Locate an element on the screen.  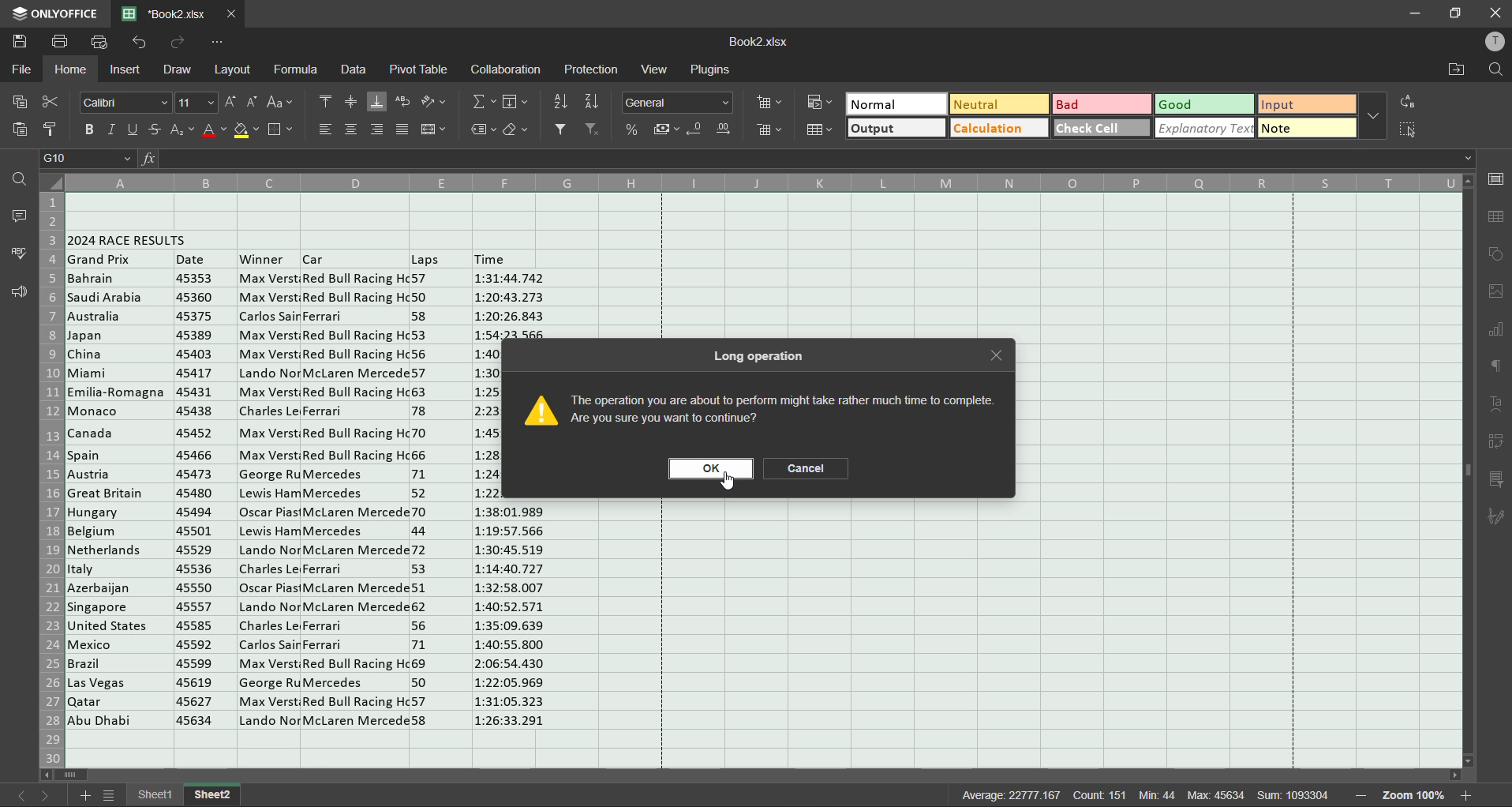
explanatory text is located at coordinates (1207, 128).